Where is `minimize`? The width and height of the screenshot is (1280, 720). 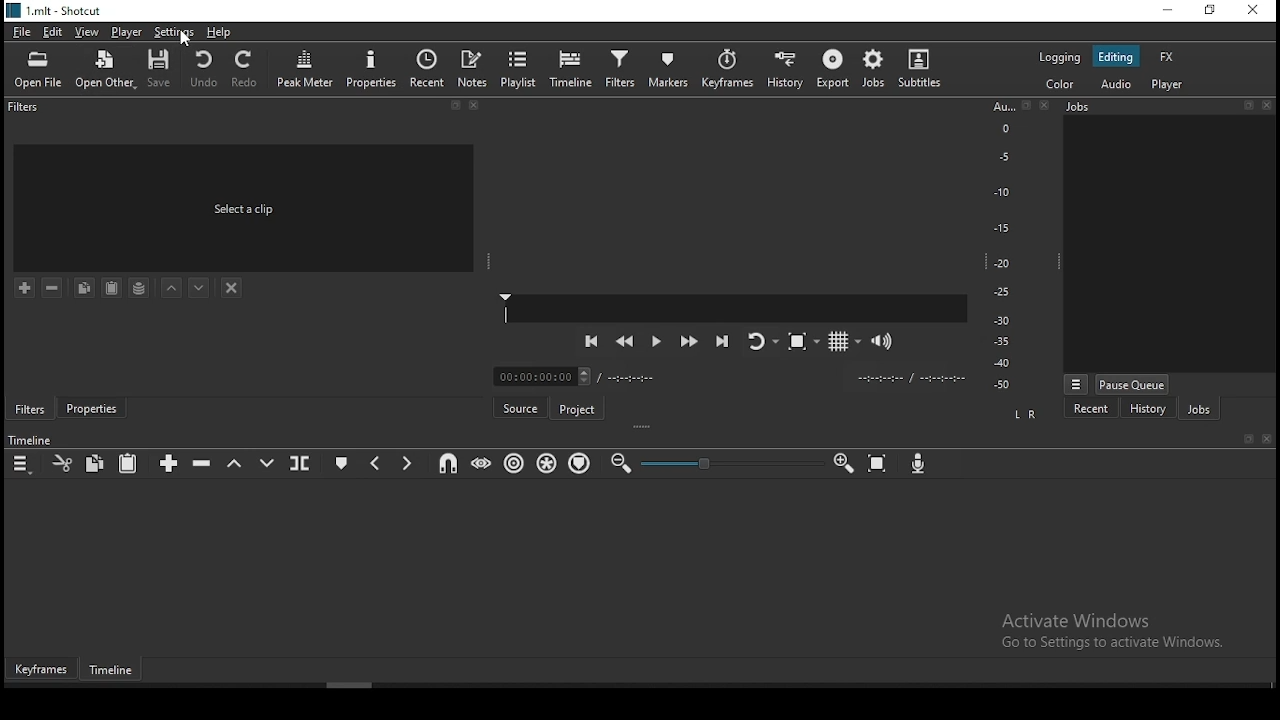 minimize is located at coordinates (1163, 10).